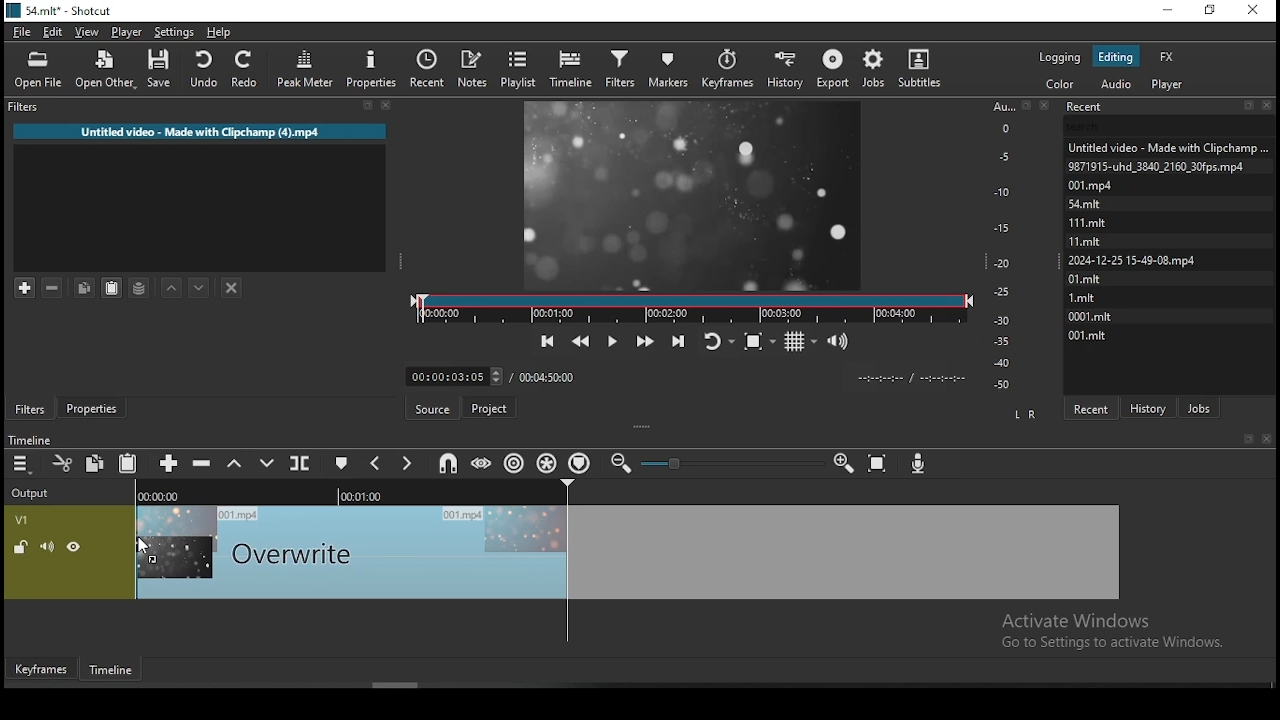  What do you see at coordinates (473, 65) in the screenshot?
I see `notes` at bounding box center [473, 65].